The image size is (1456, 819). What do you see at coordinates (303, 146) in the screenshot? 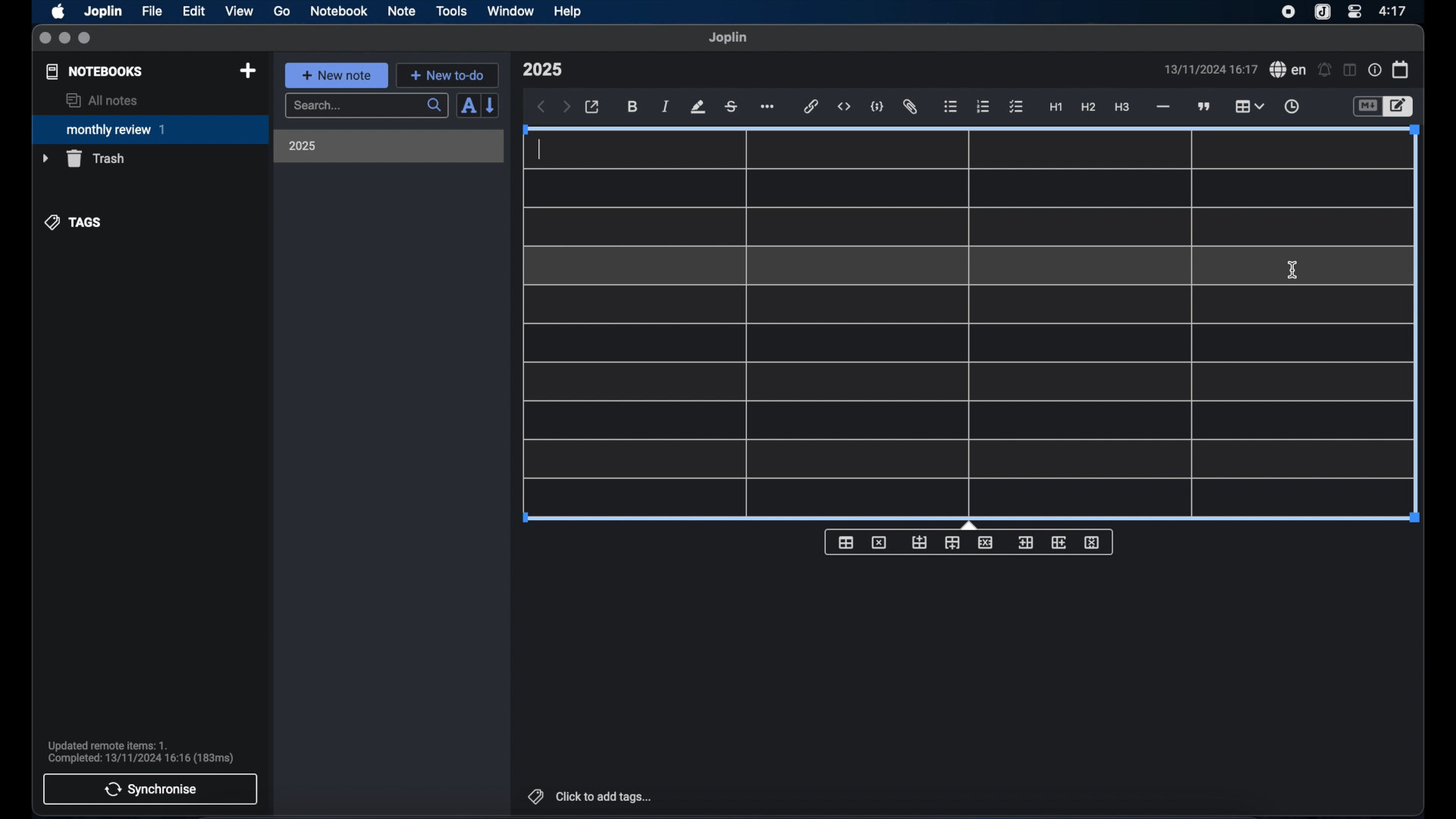
I see `2025` at bounding box center [303, 146].